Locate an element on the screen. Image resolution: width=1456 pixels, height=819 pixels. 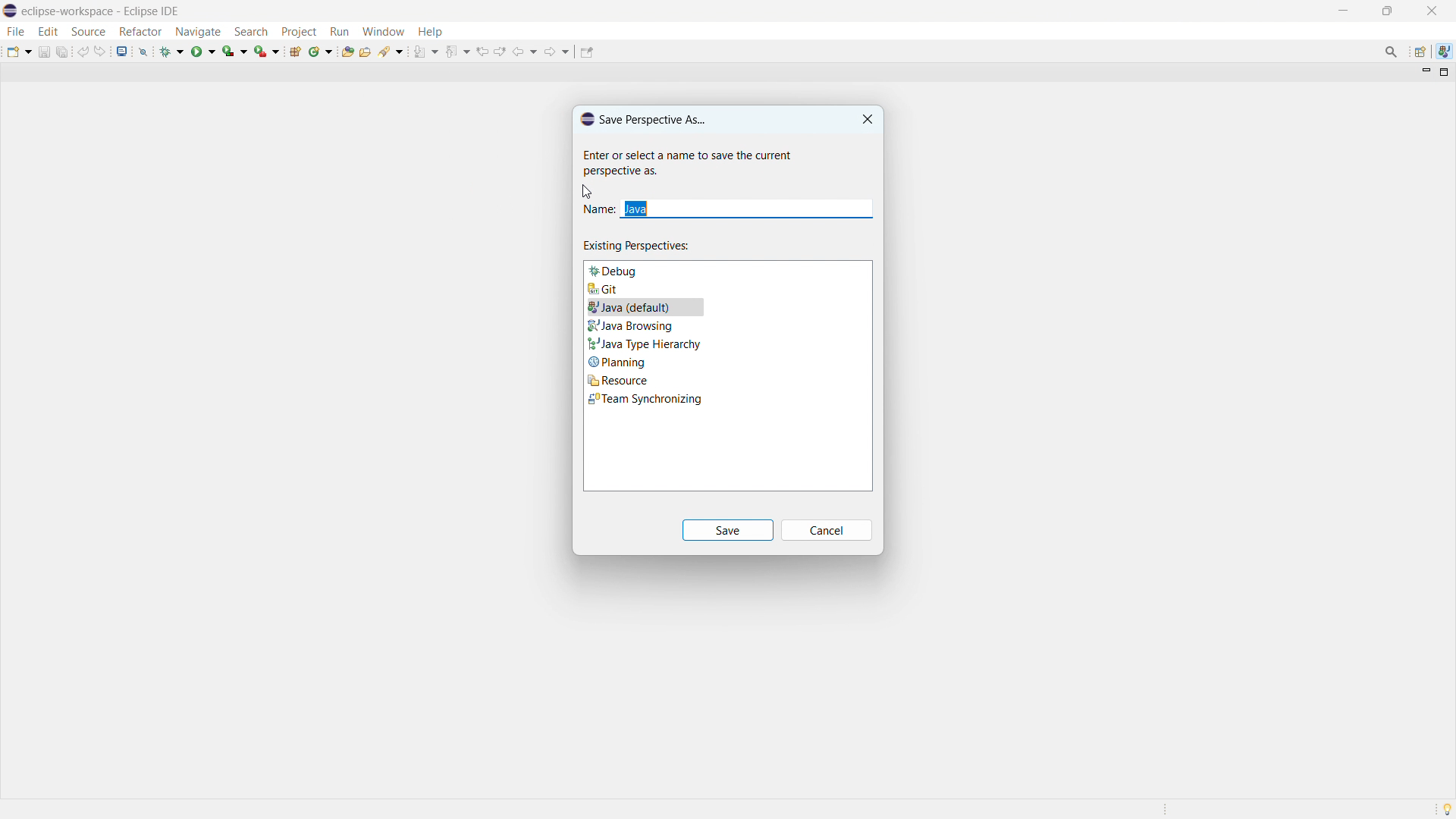
redo is located at coordinates (102, 50).